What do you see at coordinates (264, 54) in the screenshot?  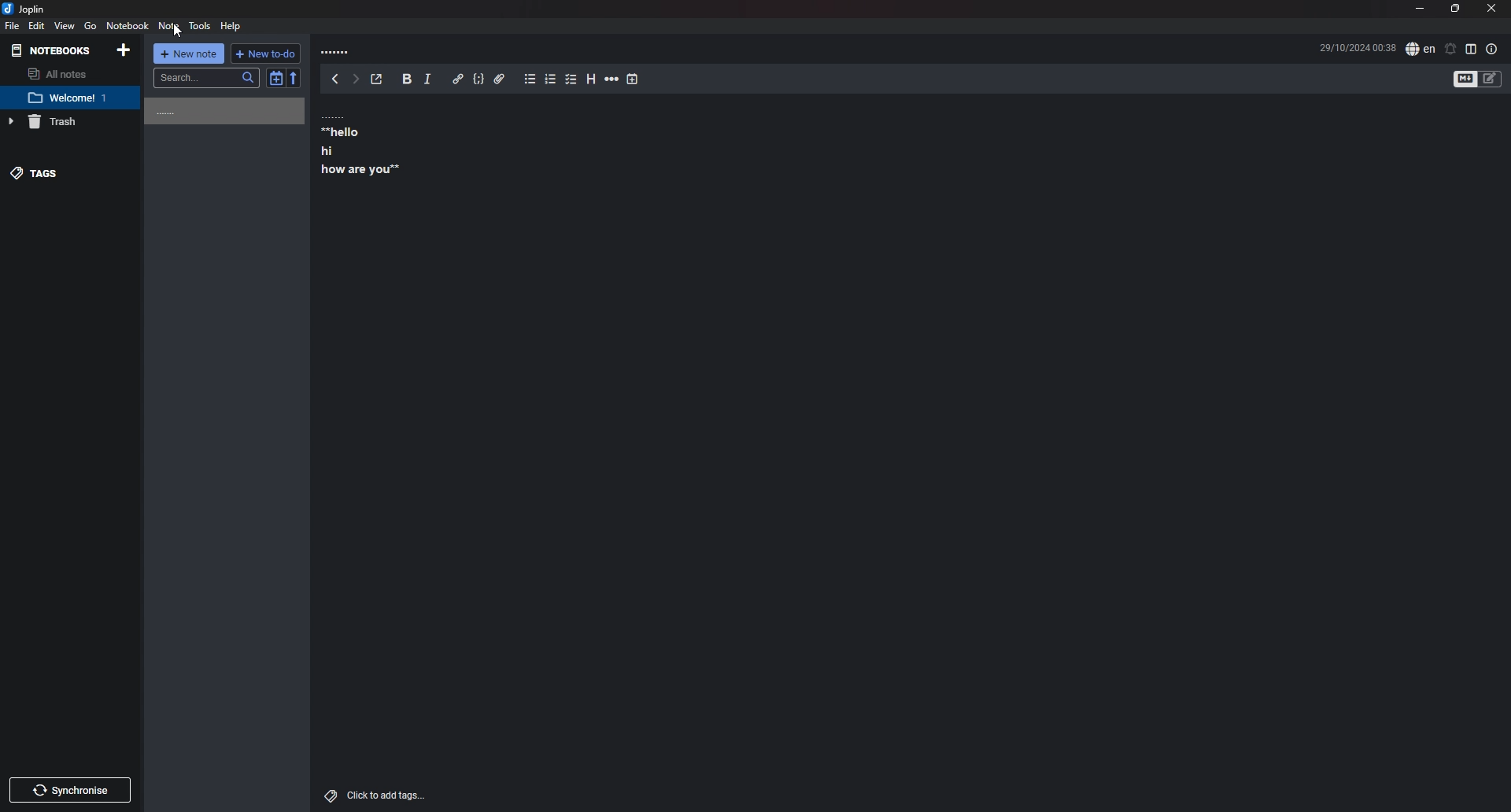 I see `New to do` at bounding box center [264, 54].